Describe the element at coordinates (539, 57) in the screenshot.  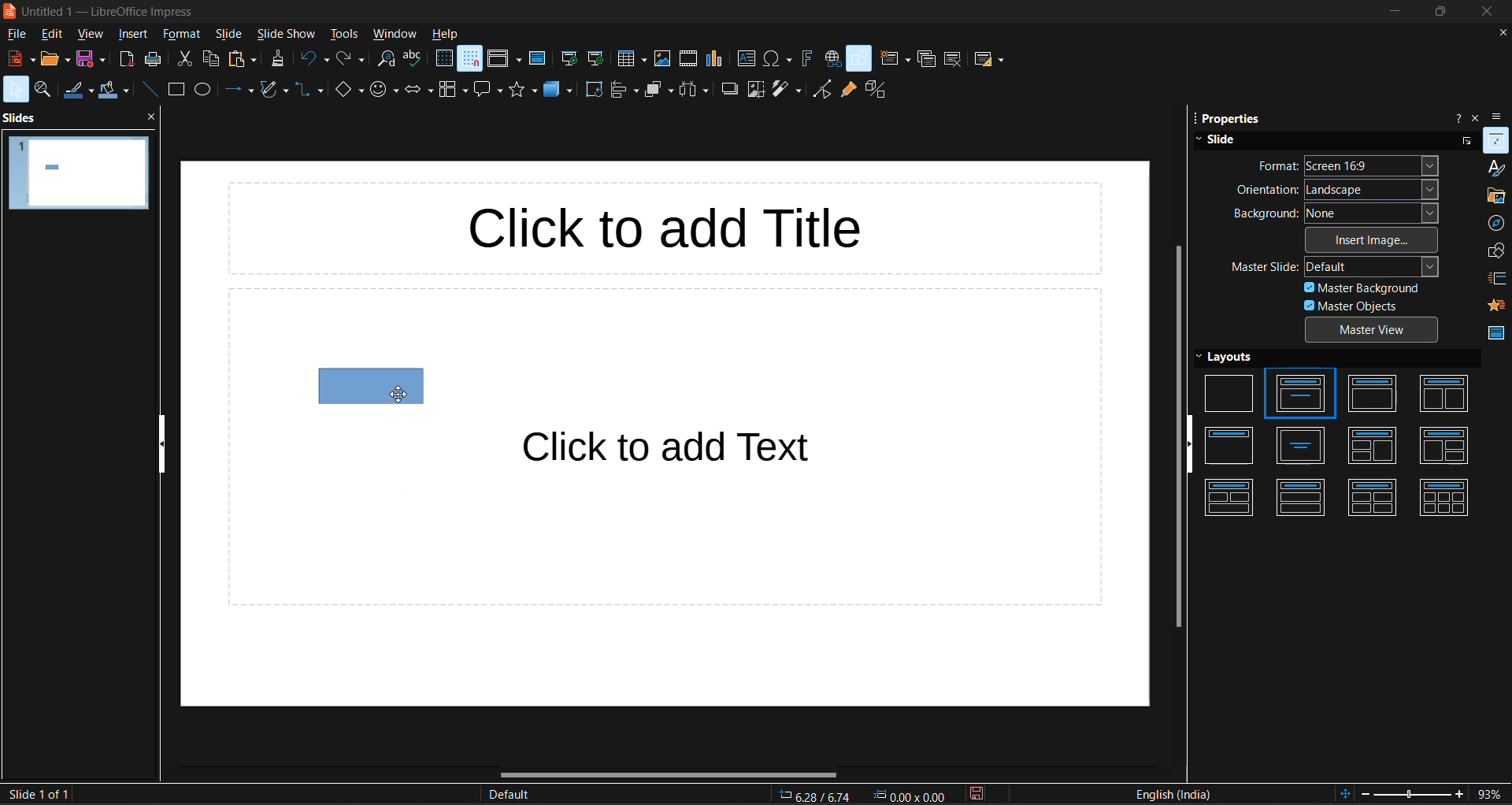
I see `master slide` at that location.